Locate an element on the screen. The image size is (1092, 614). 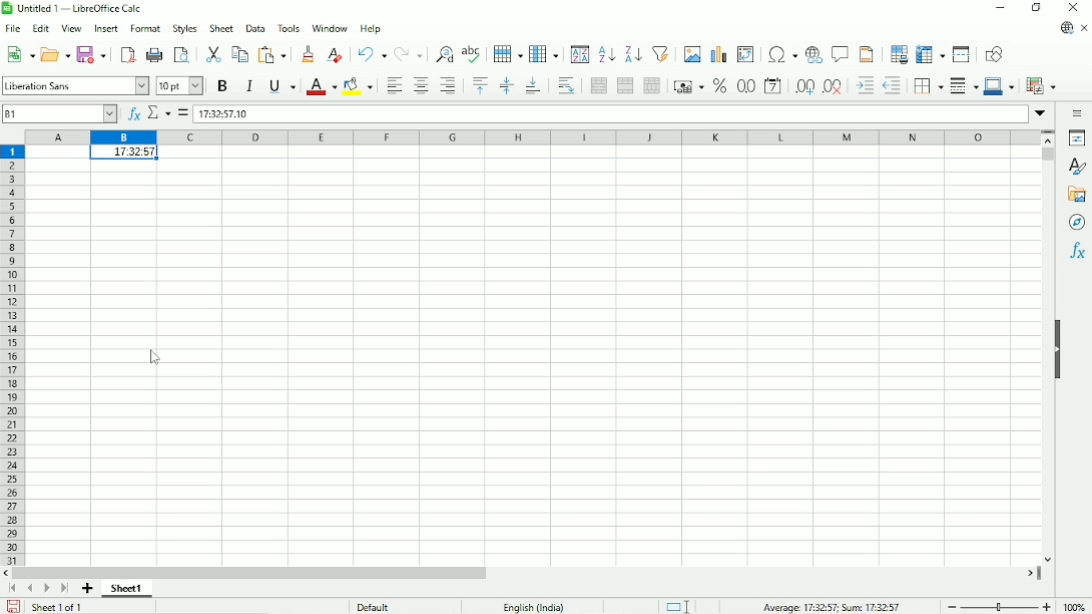
Header and footer is located at coordinates (868, 53).